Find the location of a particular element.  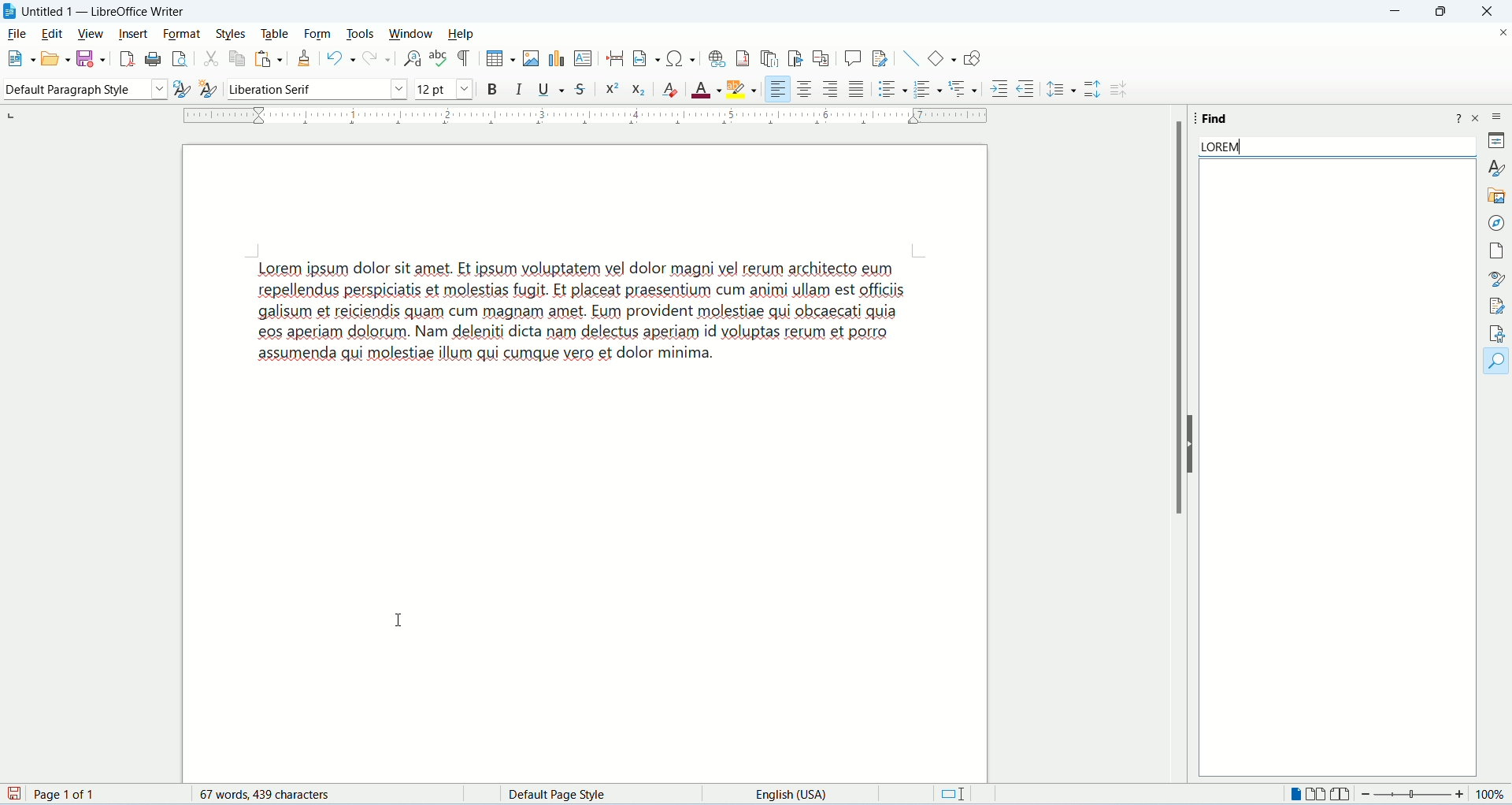

close is located at coordinates (1478, 117).